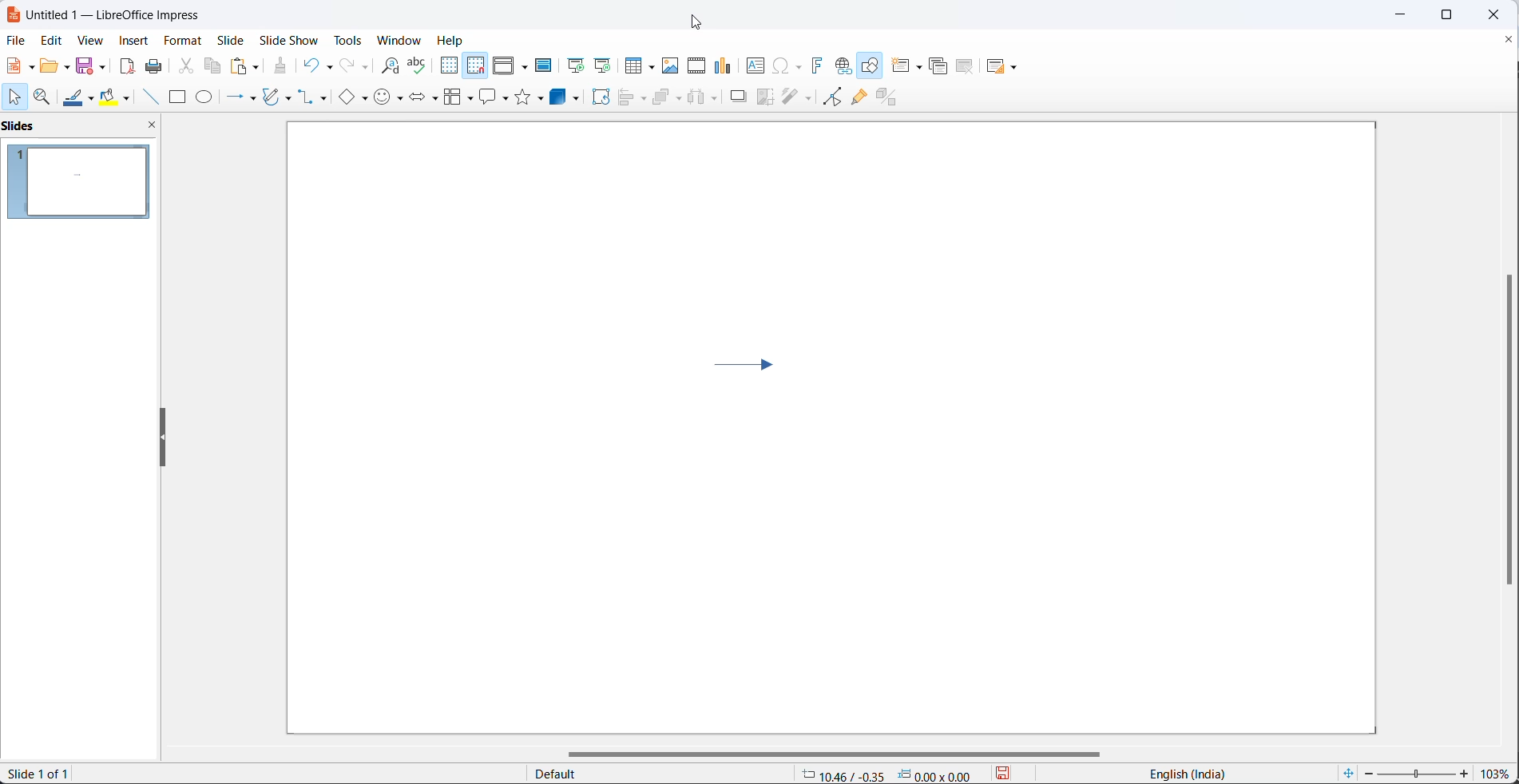 The width and height of the screenshot is (1519, 784). Describe the element at coordinates (891, 97) in the screenshot. I see `toggle extrusion` at that location.